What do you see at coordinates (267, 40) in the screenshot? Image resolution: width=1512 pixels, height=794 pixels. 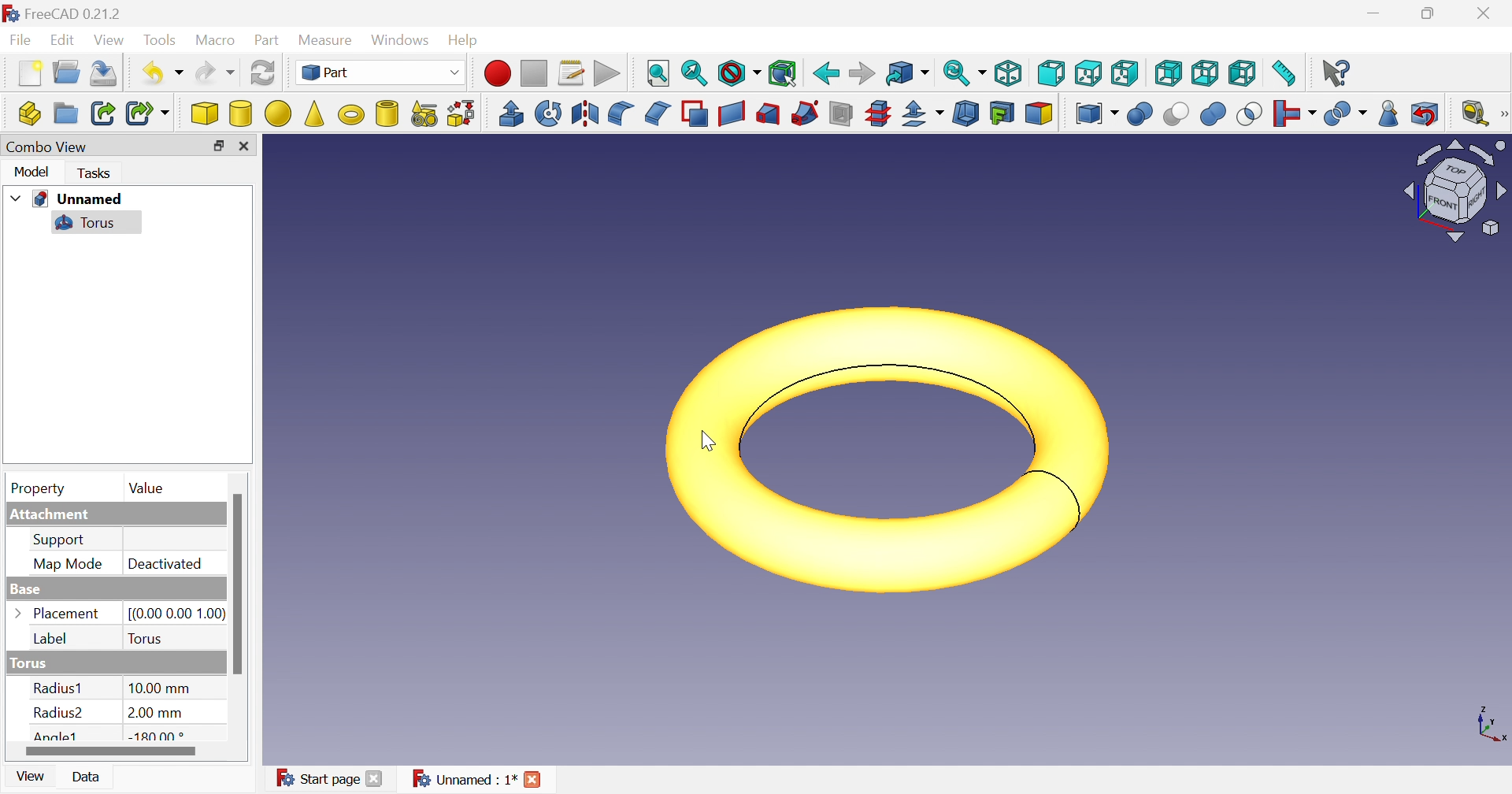 I see `Part` at bounding box center [267, 40].